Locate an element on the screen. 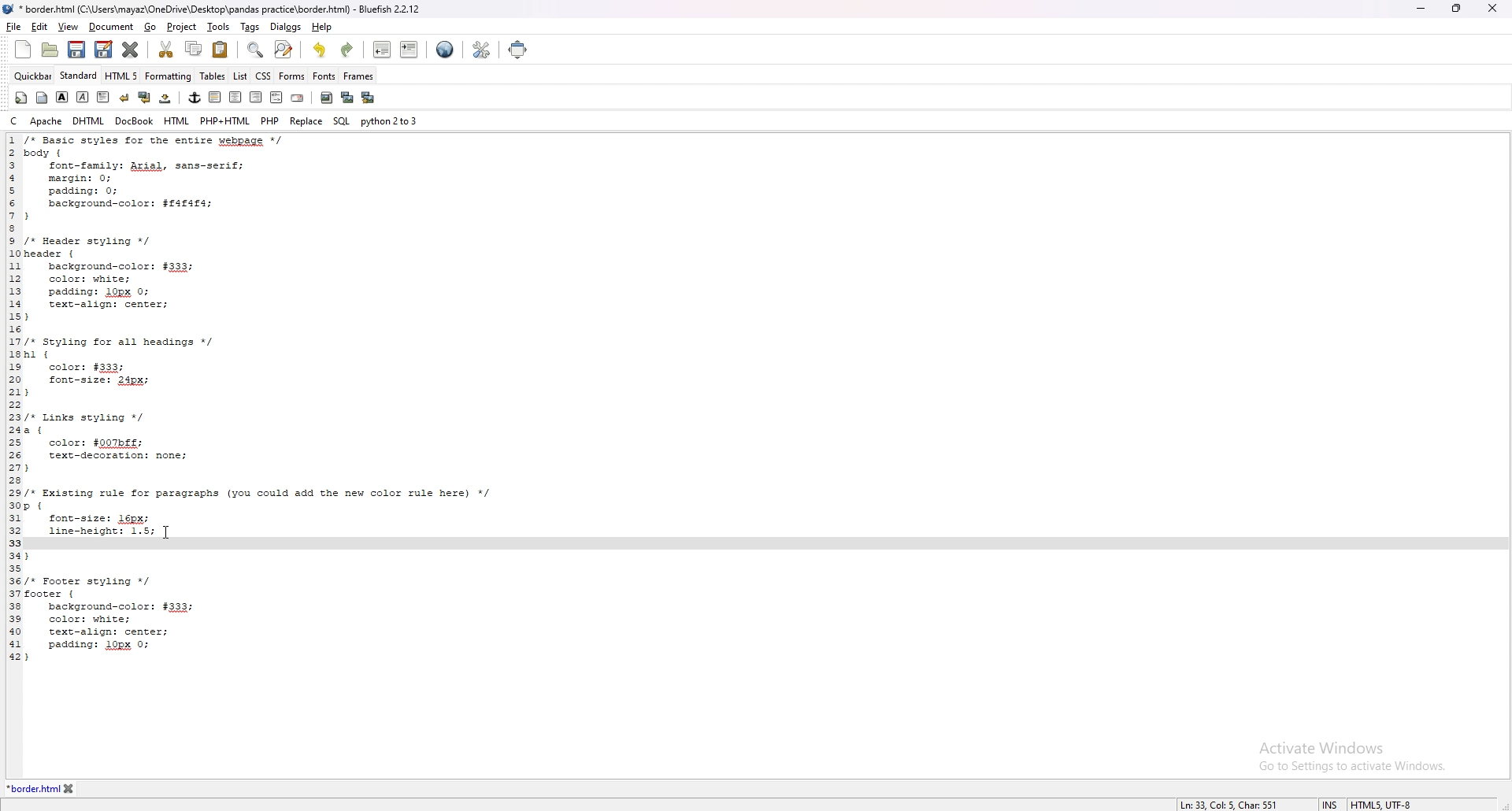 Image resolution: width=1512 pixels, height=811 pixels. full screen is located at coordinates (525, 50).